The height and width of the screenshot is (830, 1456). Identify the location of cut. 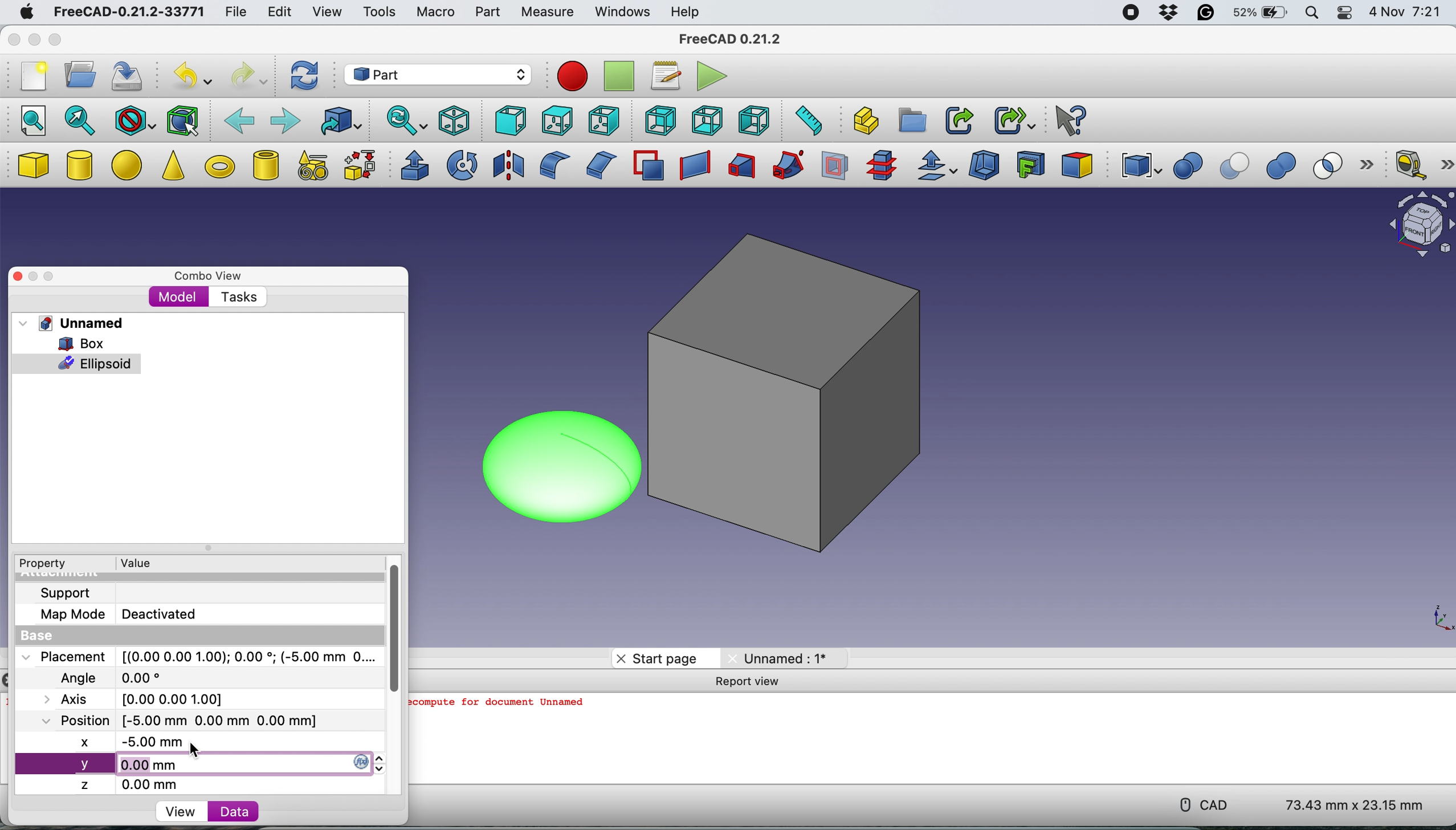
(1237, 166).